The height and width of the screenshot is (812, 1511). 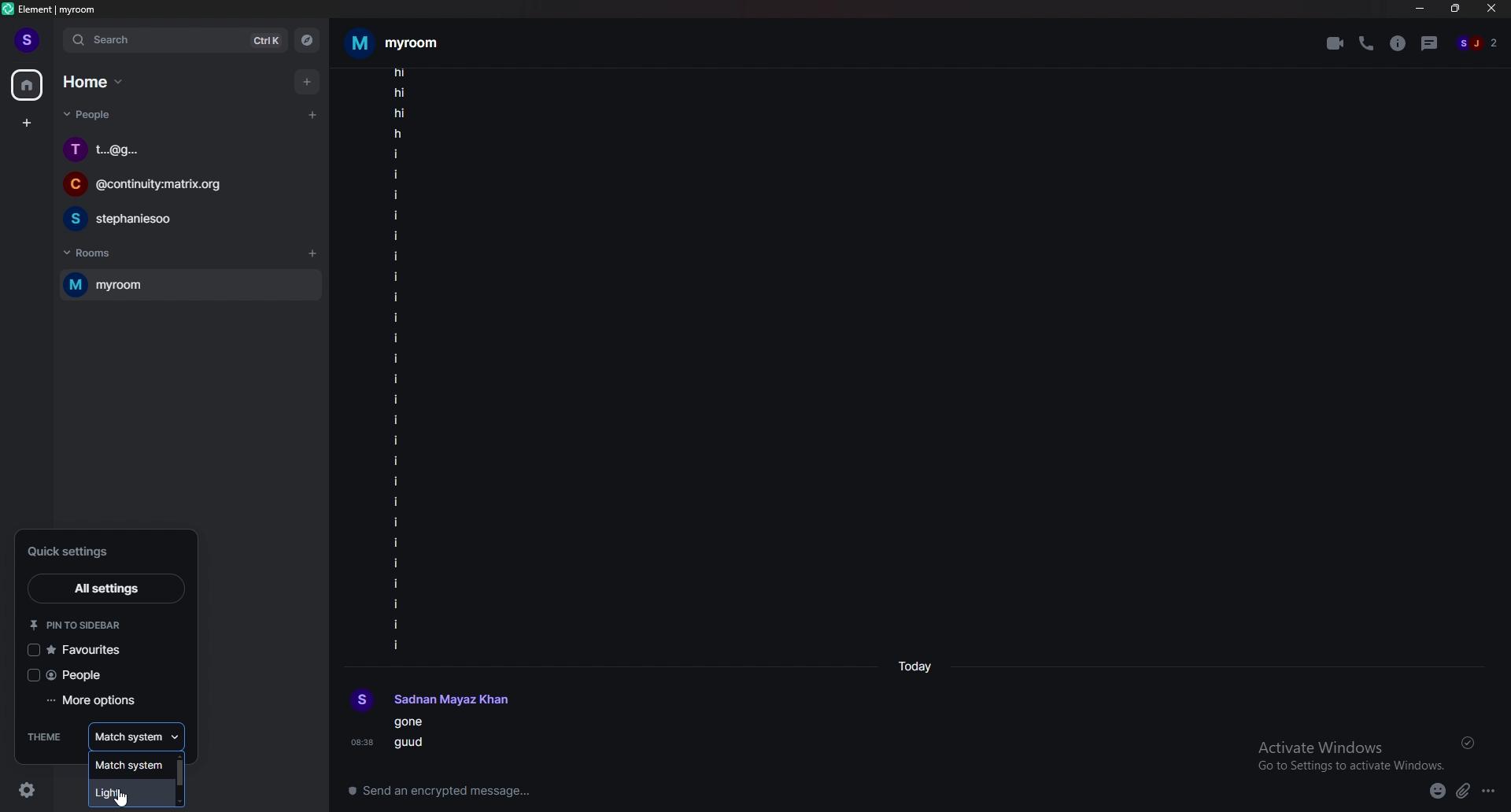 What do you see at coordinates (175, 40) in the screenshot?
I see `search bar` at bounding box center [175, 40].